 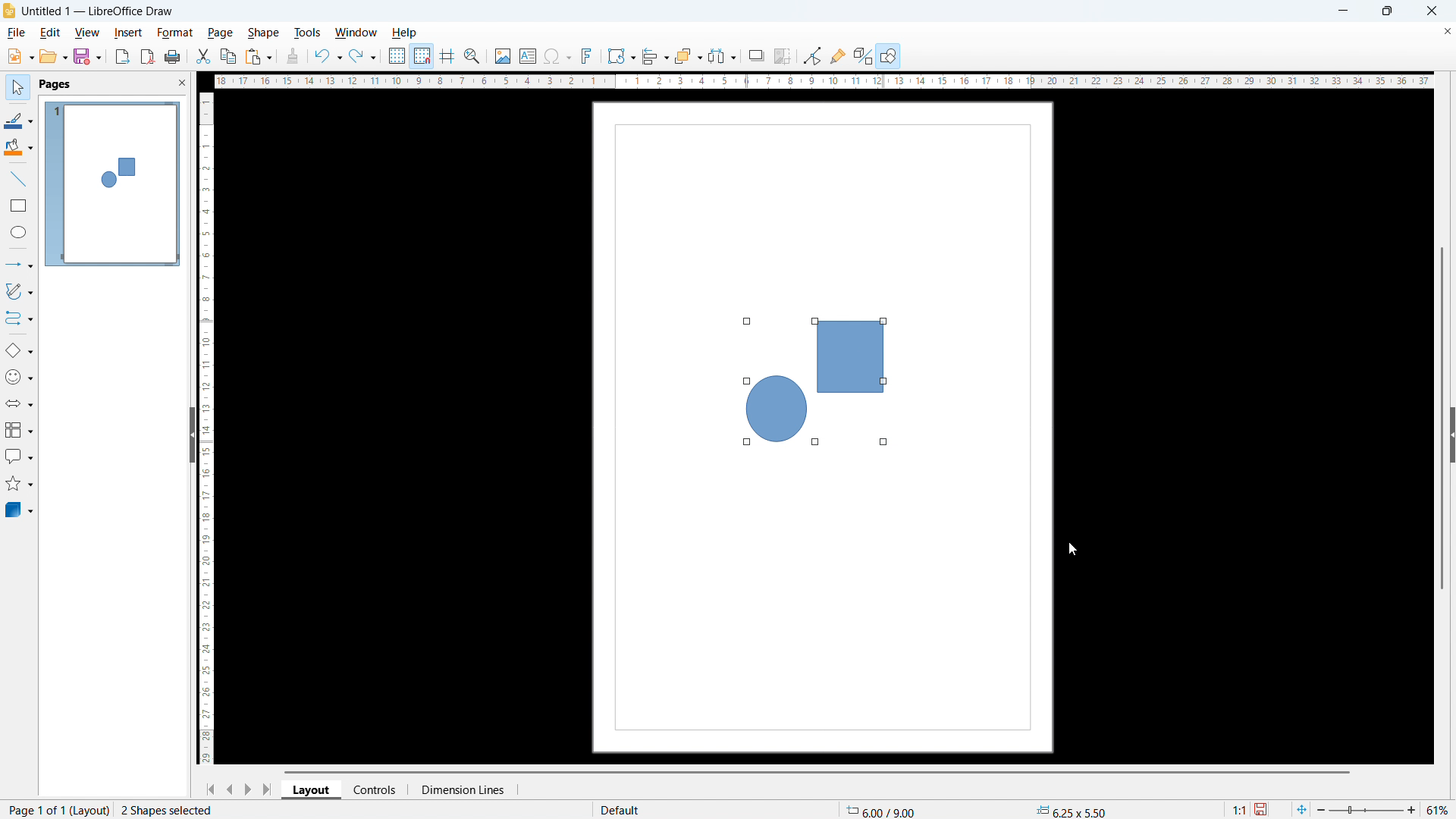 What do you see at coordinates (758, 56) in the screenshot?
I see `shadow` at bounding box center [758, 56].